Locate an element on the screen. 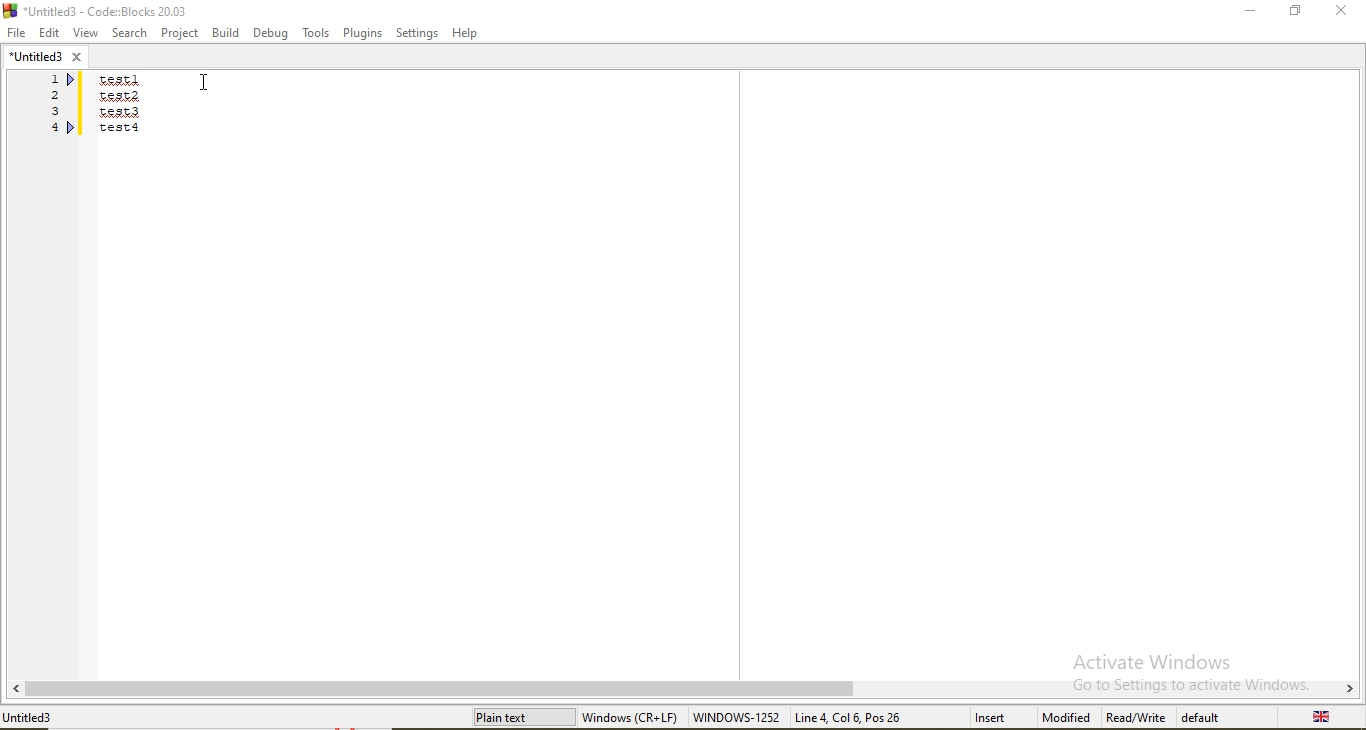 This screenshot has height=730, width=1366. serial numbers 1,2,3,4 is located at coordinates (52, 103).